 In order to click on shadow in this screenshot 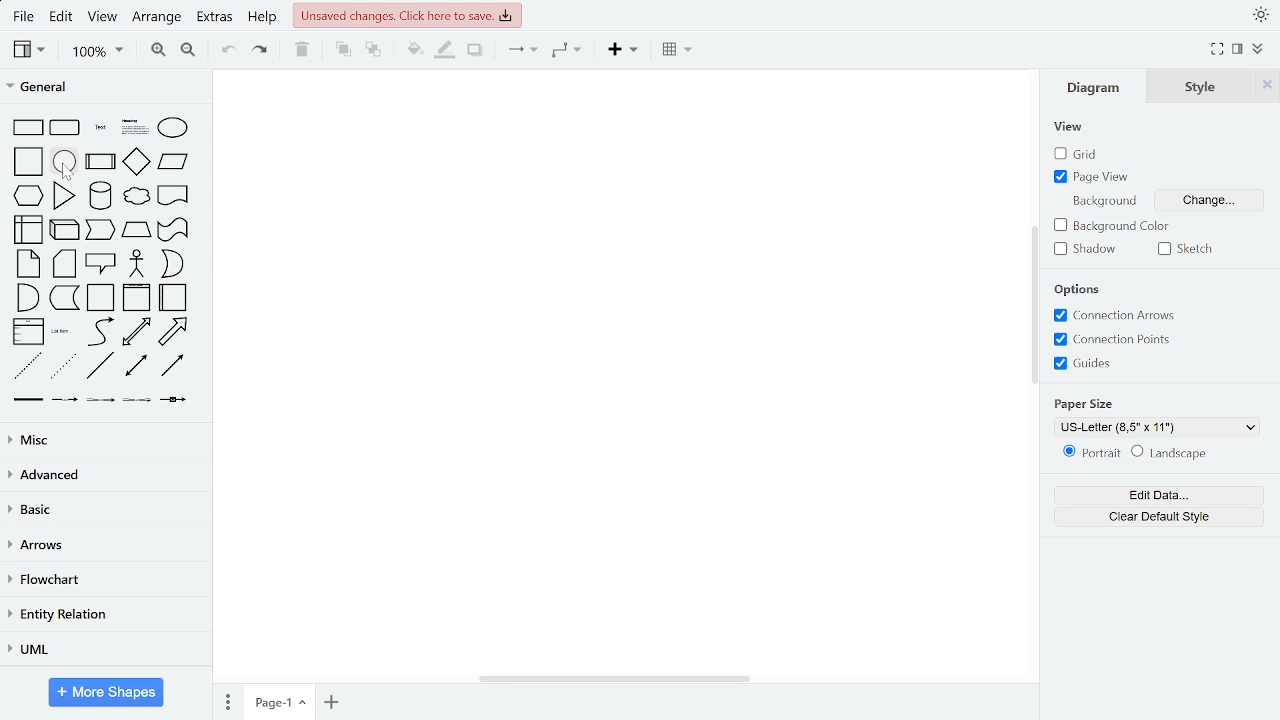, I will do `click(477, 51)`.